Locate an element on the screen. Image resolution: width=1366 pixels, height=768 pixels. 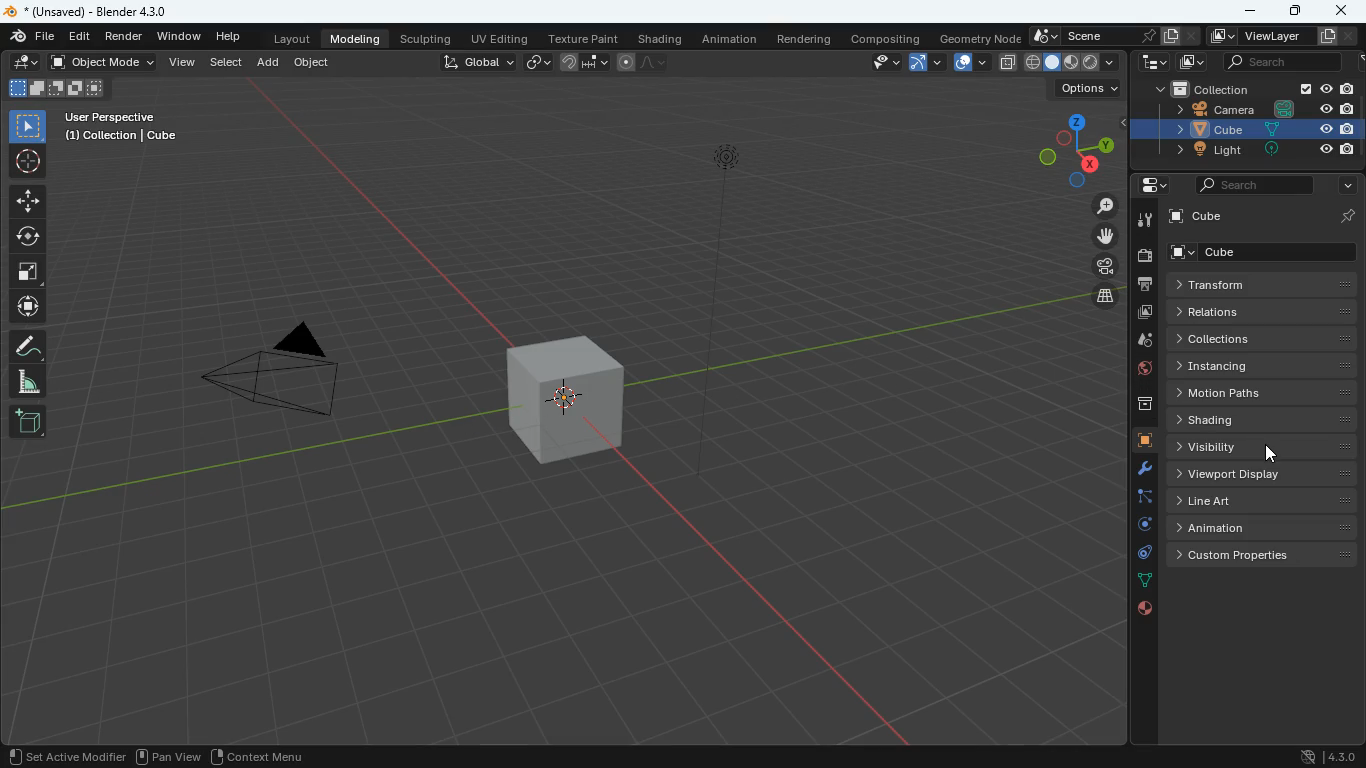
edit is located at coordinates (32, 36).